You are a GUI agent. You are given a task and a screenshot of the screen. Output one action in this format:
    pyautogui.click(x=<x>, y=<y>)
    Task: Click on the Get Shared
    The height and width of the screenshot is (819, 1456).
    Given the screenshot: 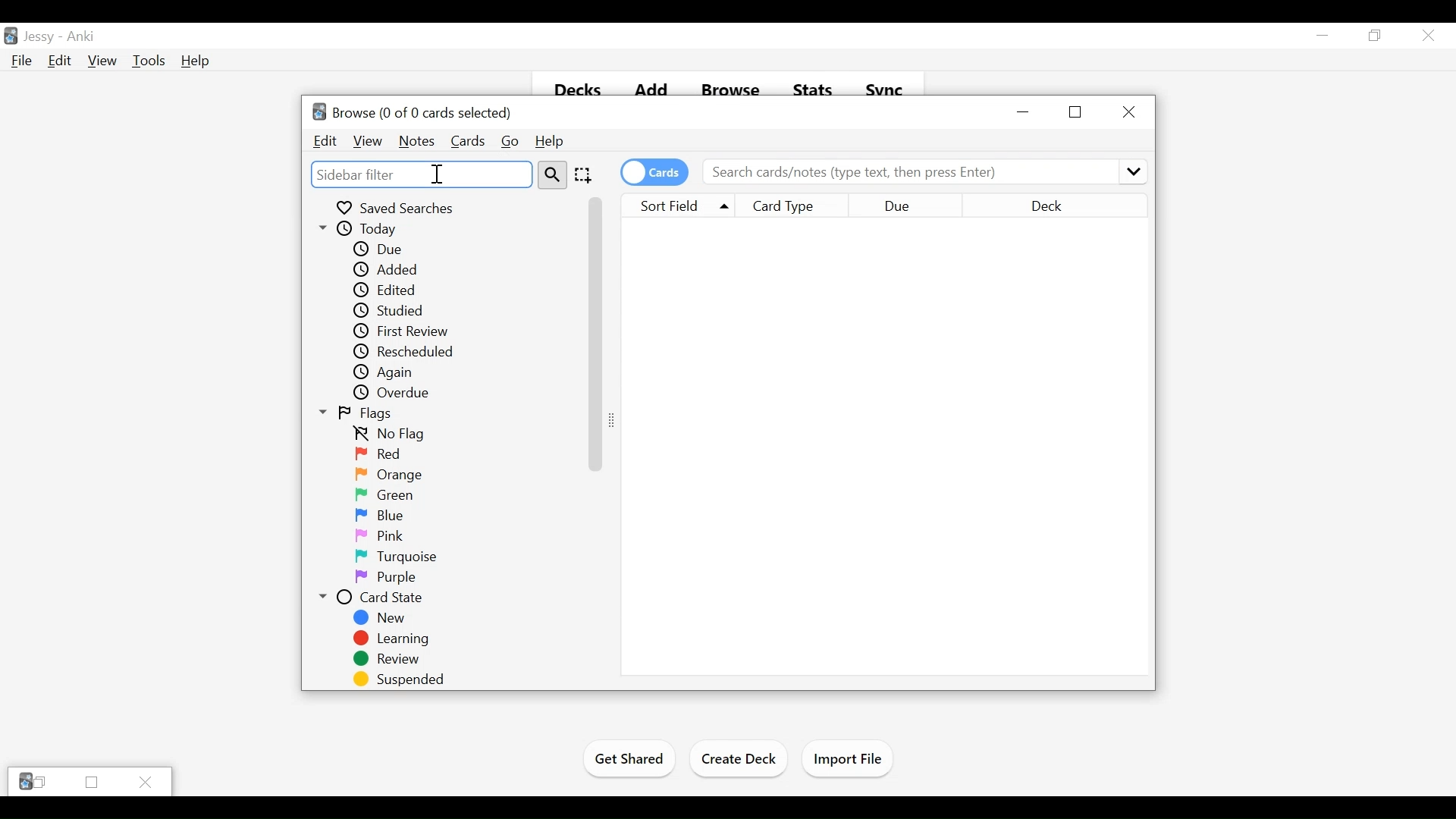 What is the action you would take?
    pyautogui.click(x=629, y=761)
    